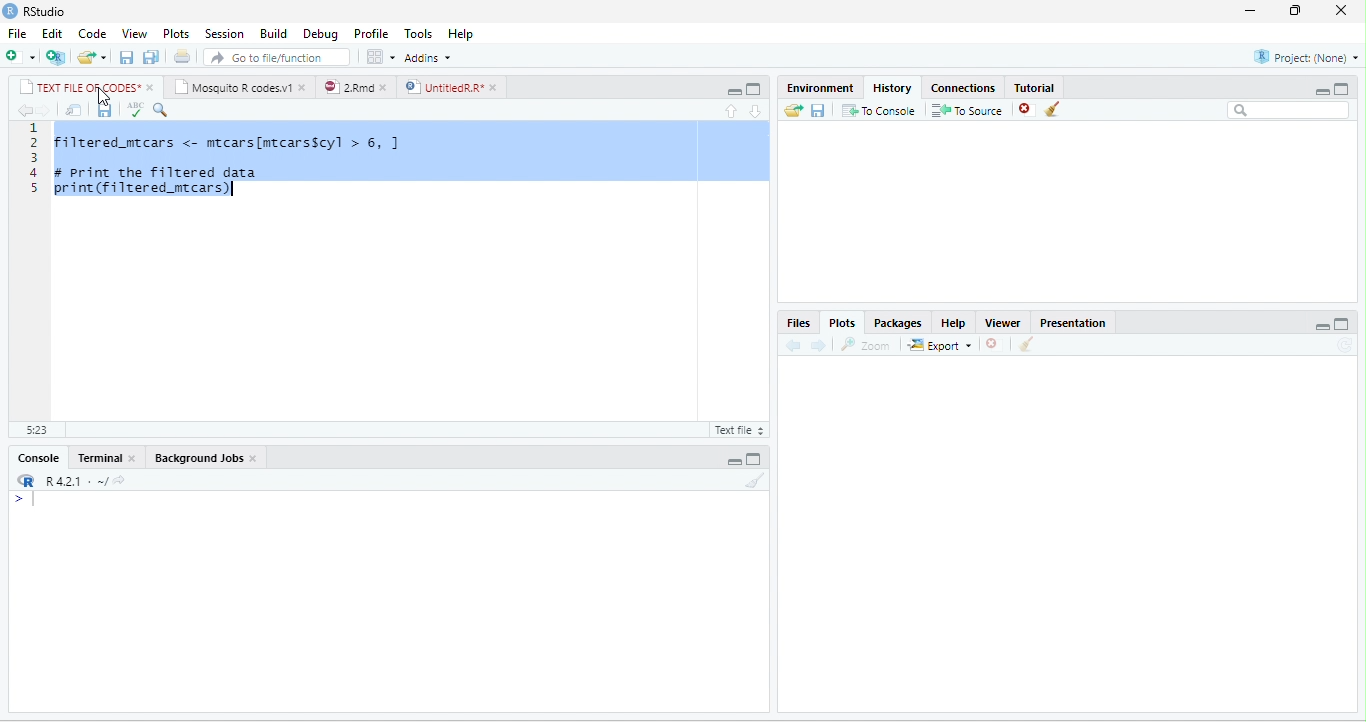  I want to click on clear, so click(756, 480).